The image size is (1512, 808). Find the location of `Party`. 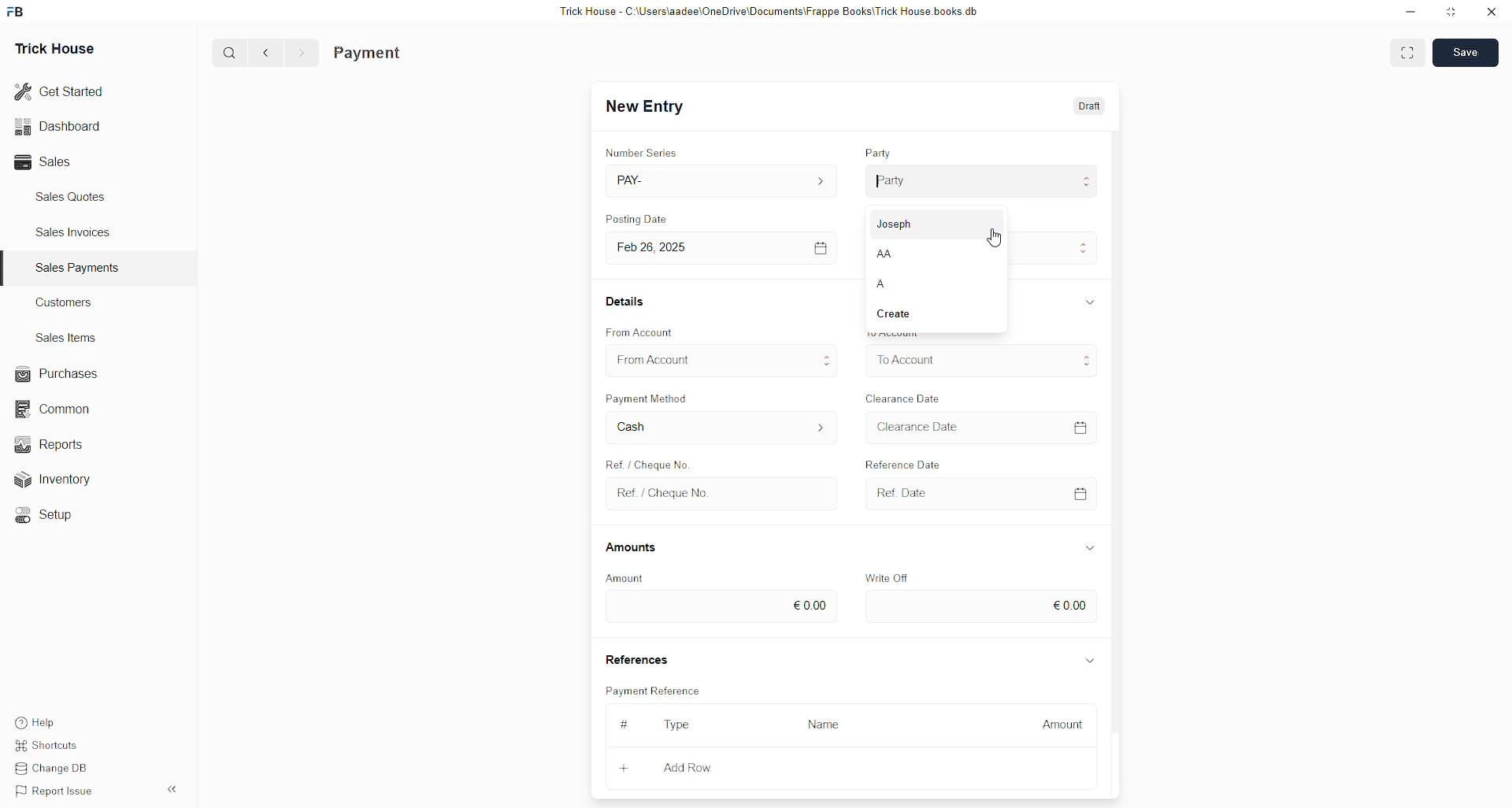

Party is located at coordinates (878, 152).